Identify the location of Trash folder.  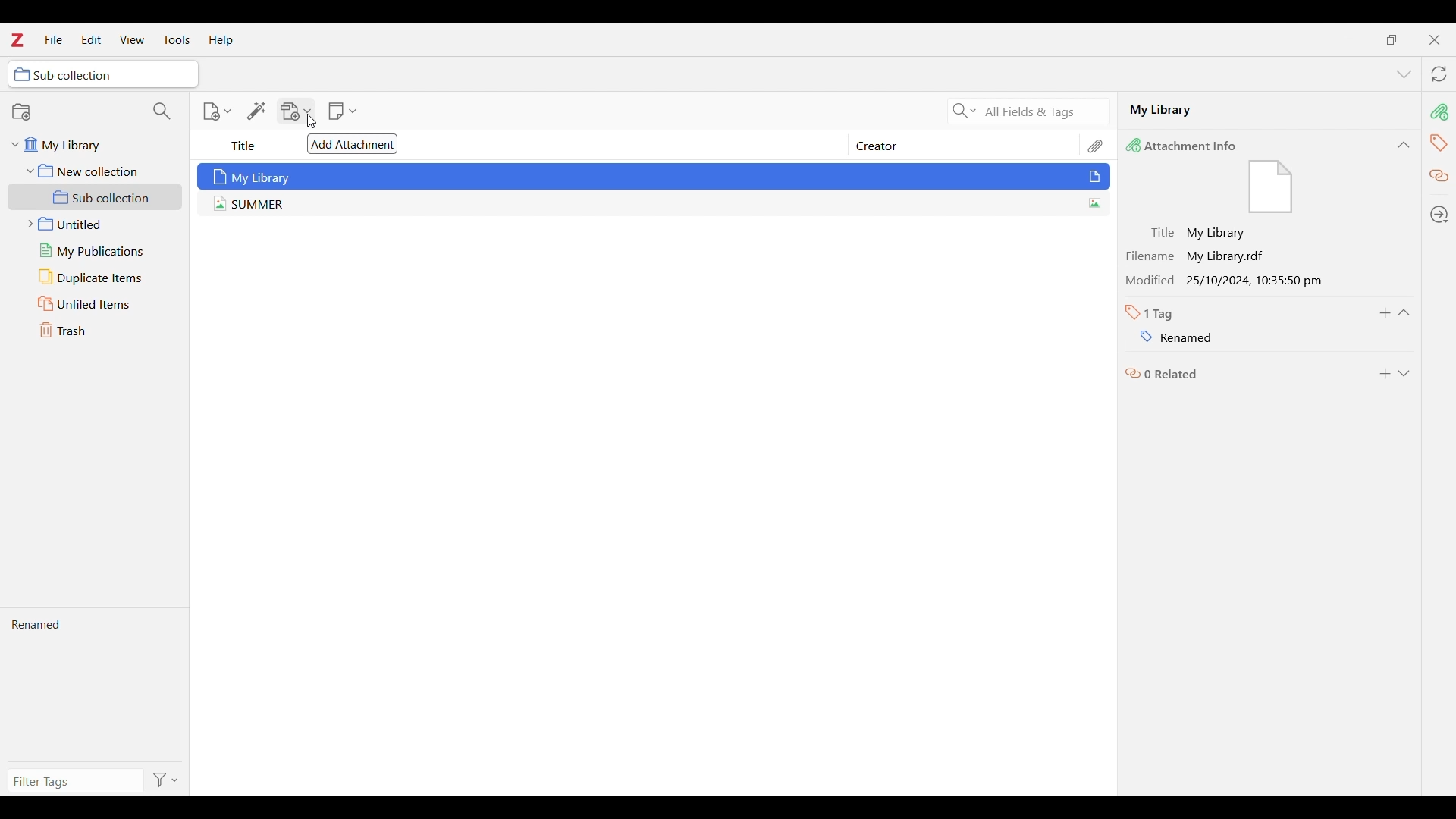
(99, 330).